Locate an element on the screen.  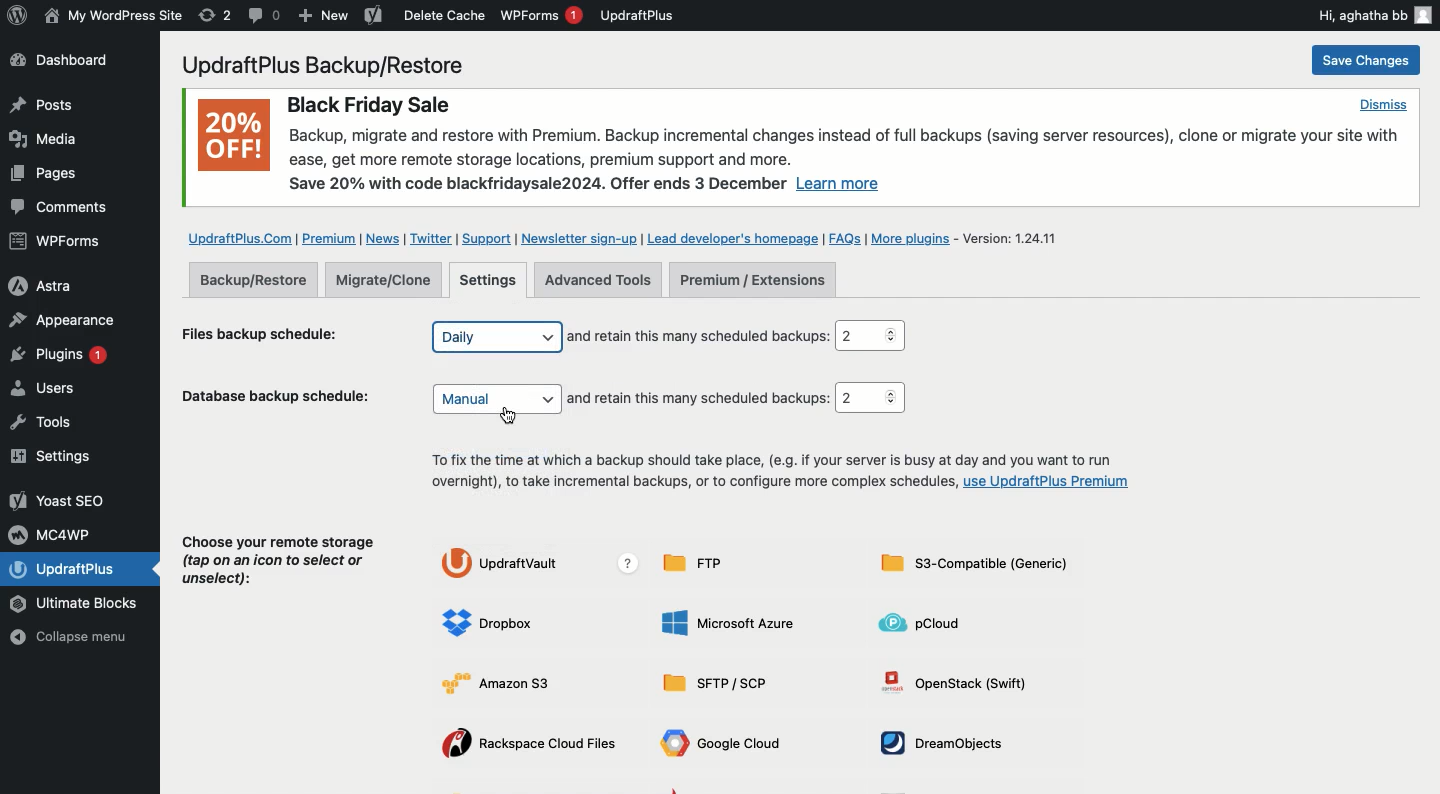
Delete cache is located at coordinates (445, 15).